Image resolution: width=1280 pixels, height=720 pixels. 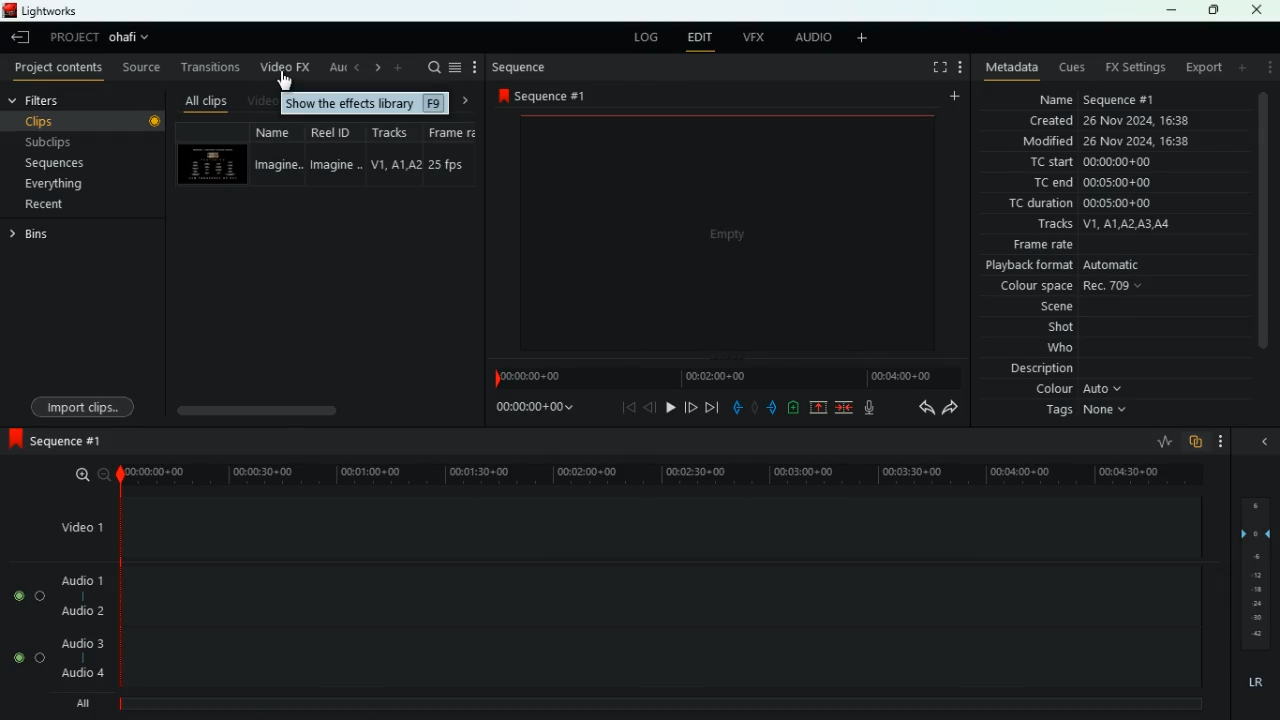 I want to click on front, so click(x=771, y=407).